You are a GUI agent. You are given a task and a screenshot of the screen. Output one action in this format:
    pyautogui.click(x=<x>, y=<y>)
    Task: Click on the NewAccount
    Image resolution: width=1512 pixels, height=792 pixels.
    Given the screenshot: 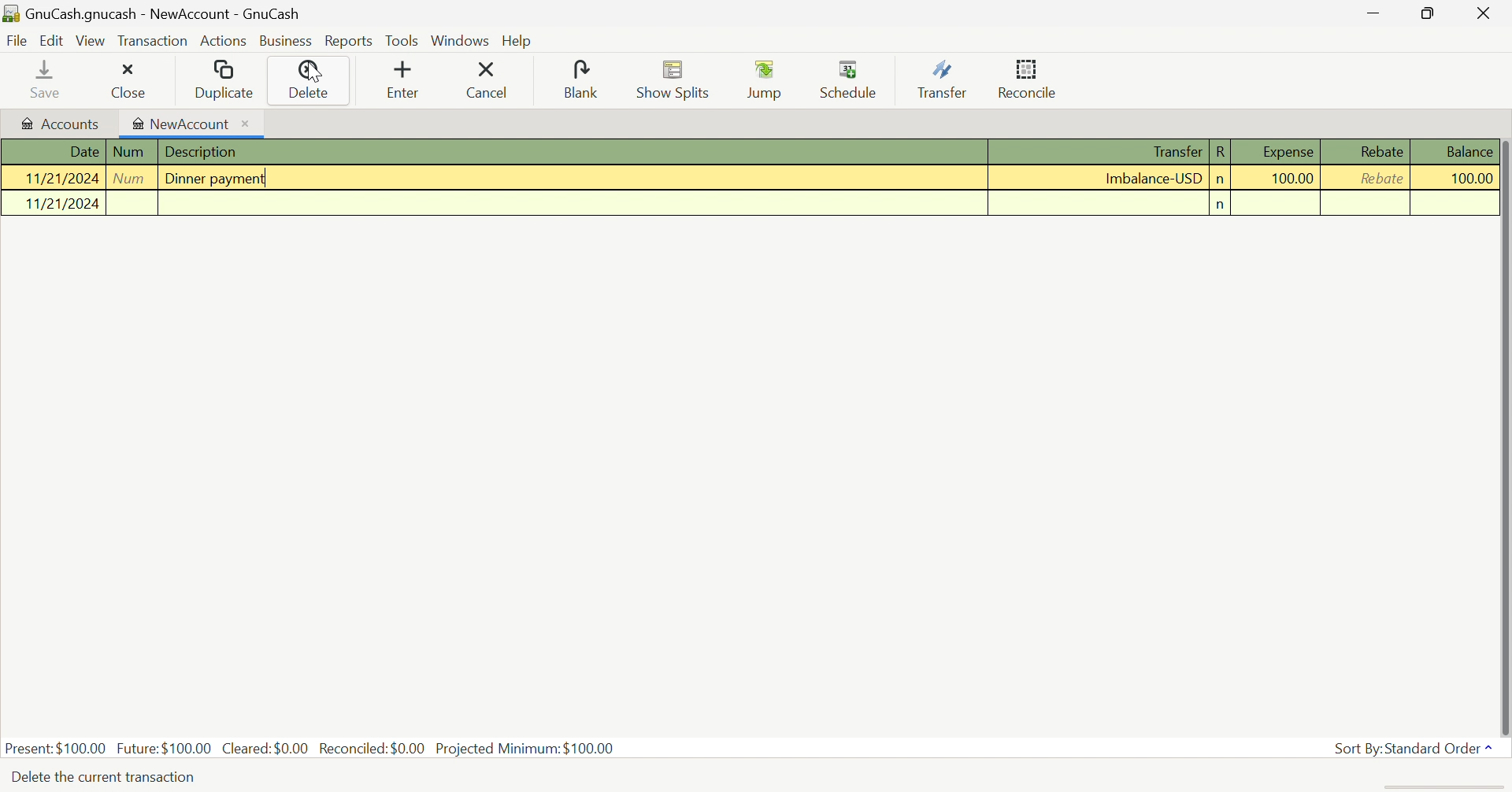 What is the action you would take?
    pyautogui.click(x=183, y=124)
    